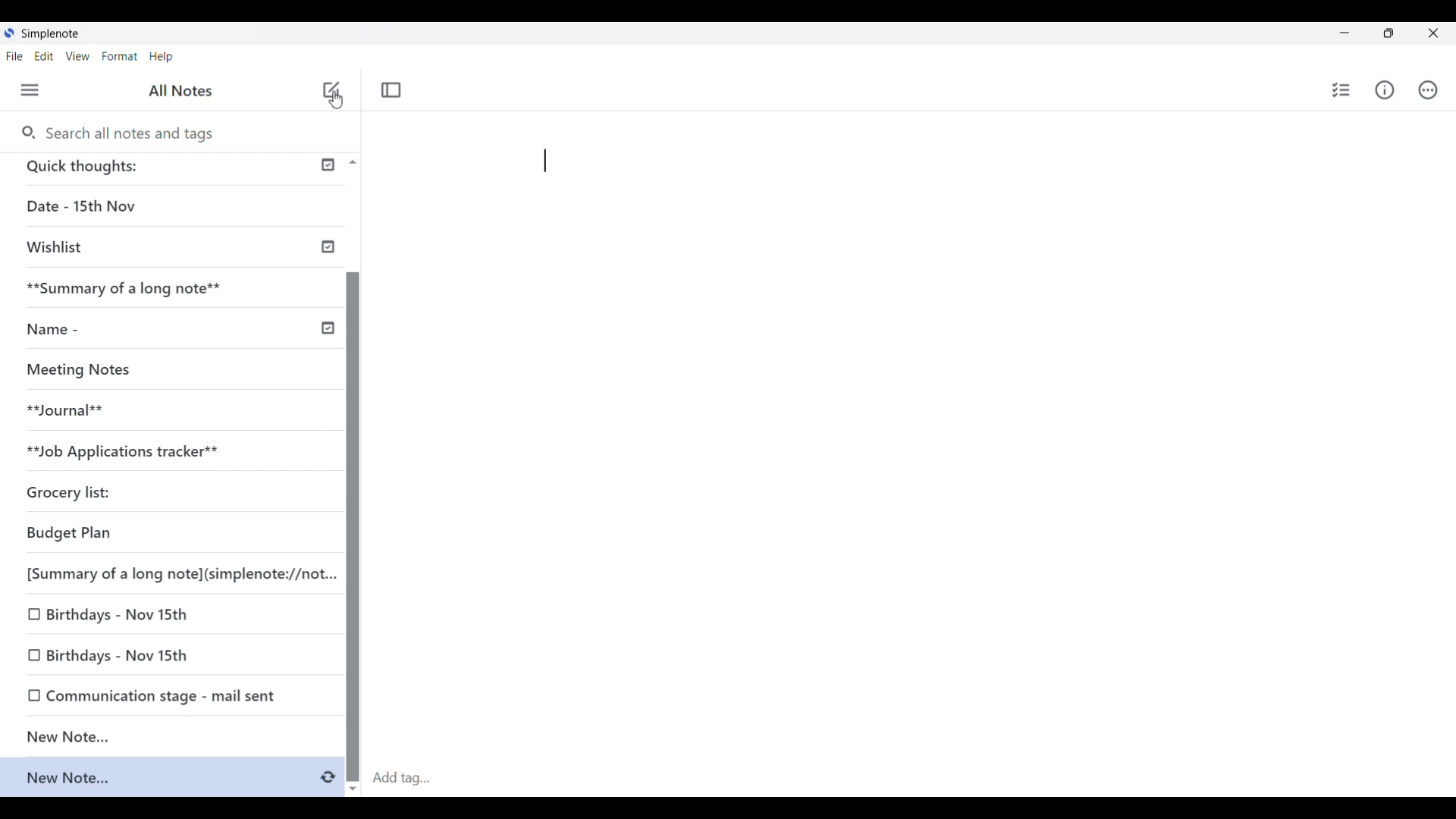  I want to click on New note added, so click(158, 778).